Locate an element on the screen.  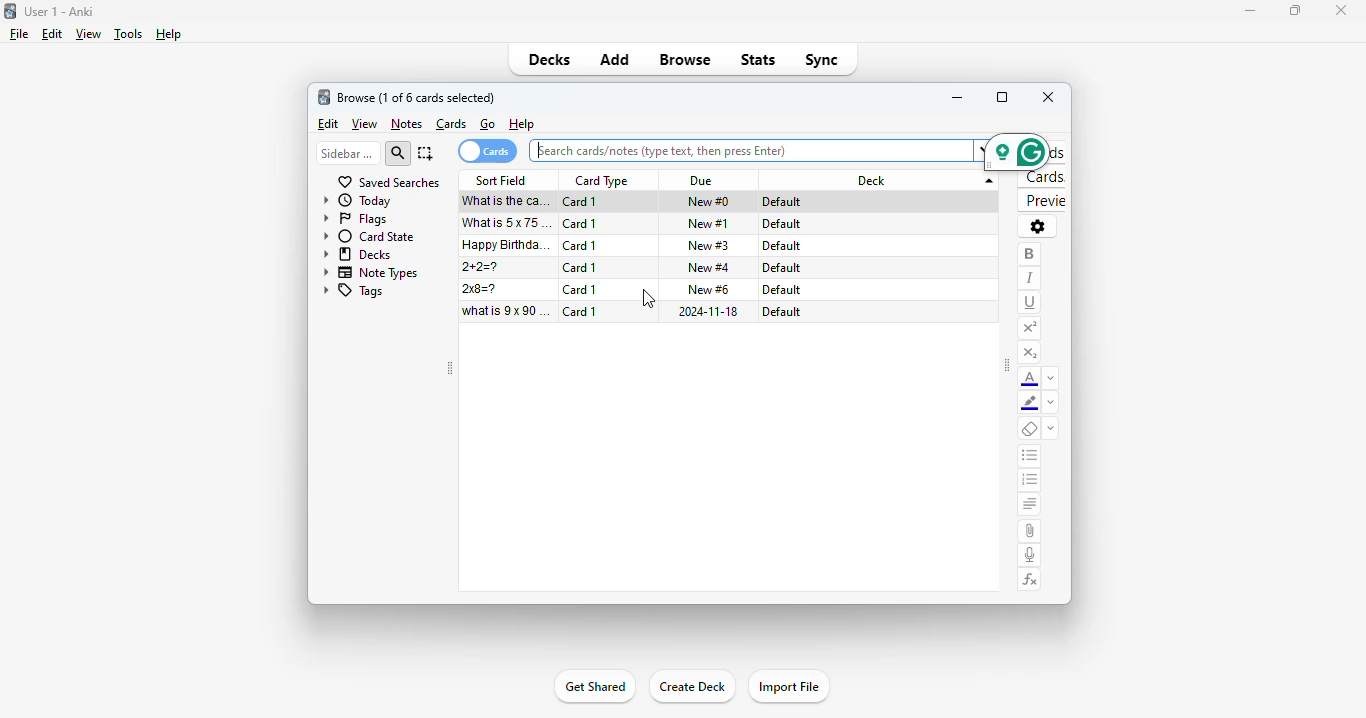
file is located at coordinates (19, 34).